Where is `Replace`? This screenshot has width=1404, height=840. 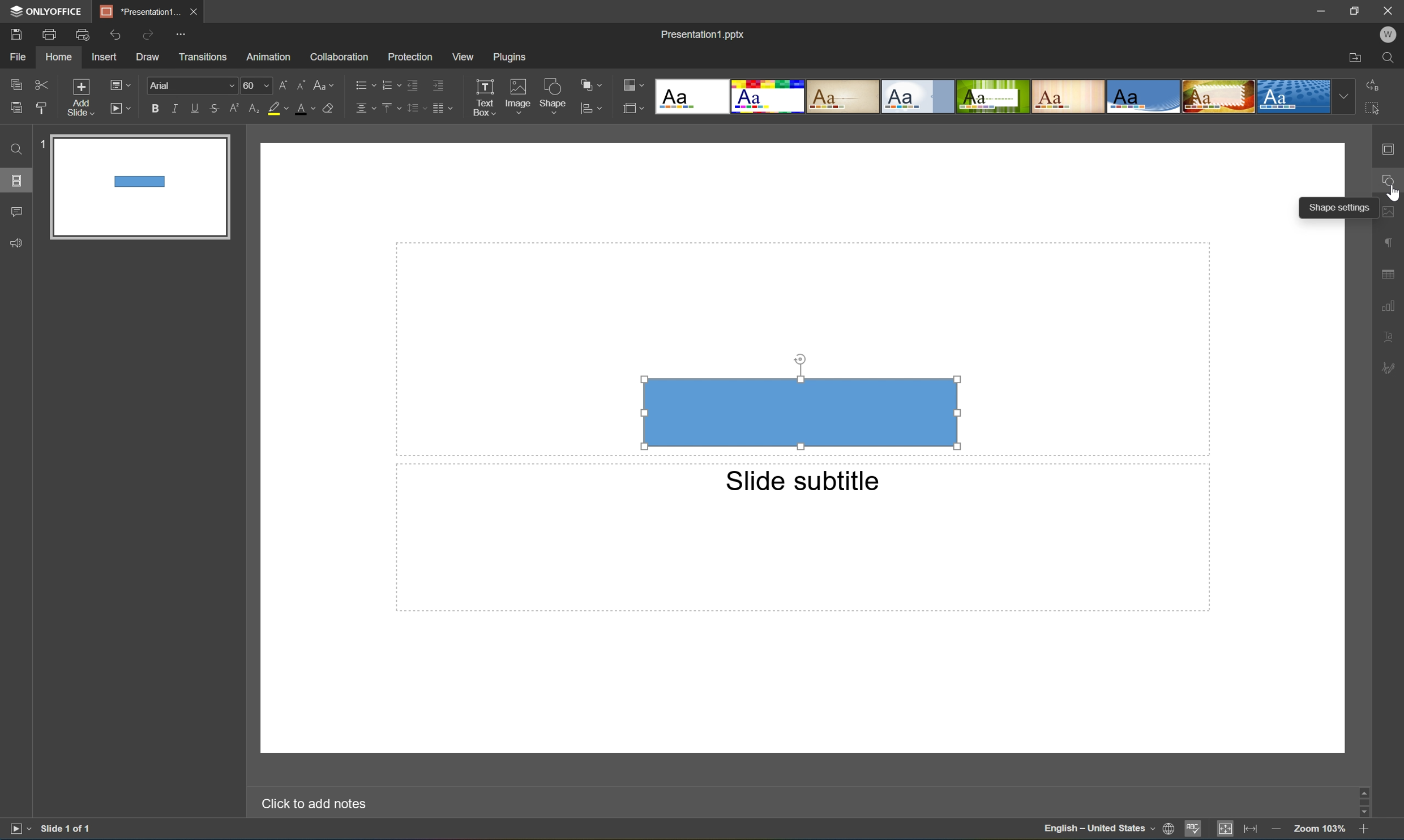
Replace is located at coordinates (1376, 84).